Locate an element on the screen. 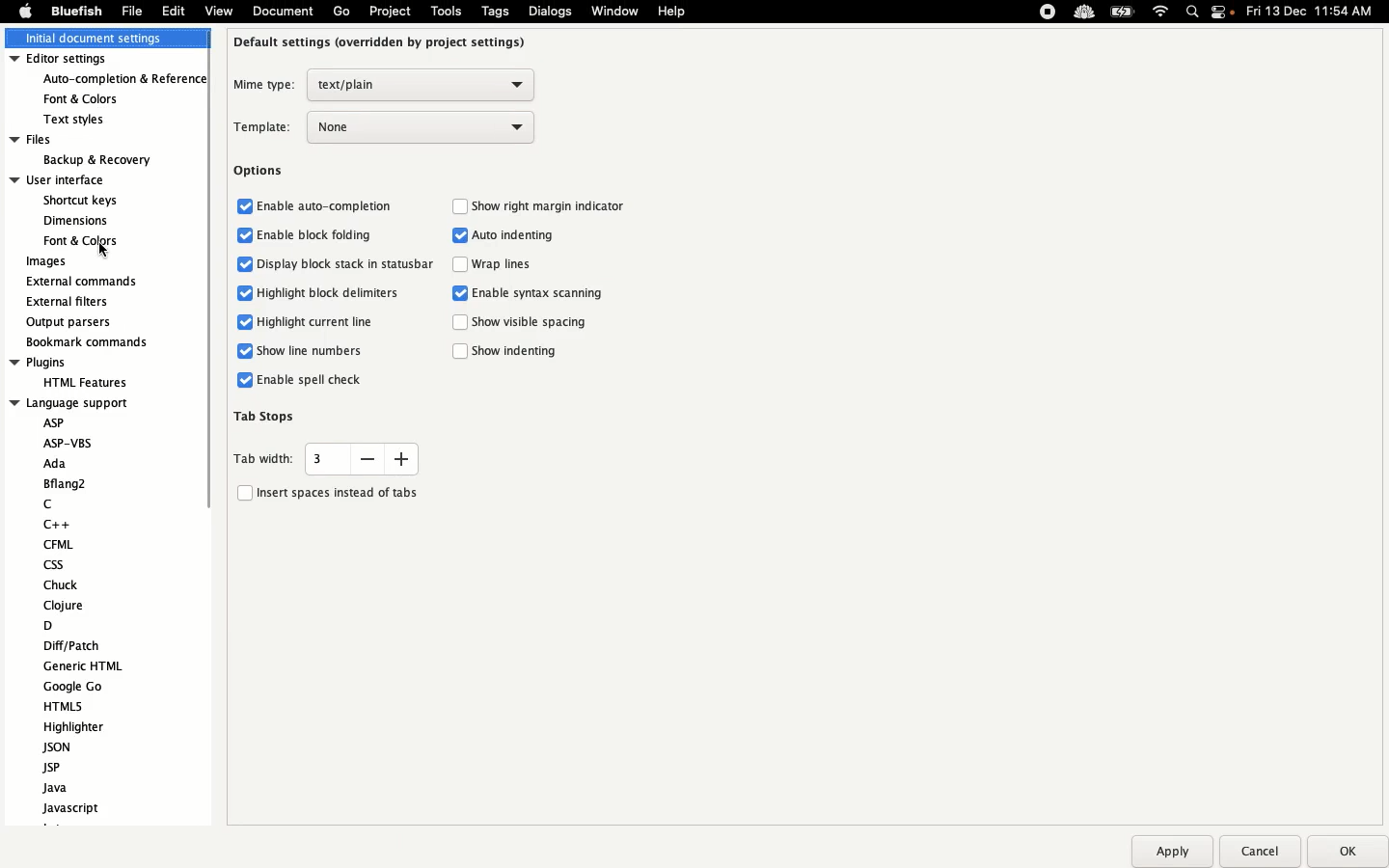 The width and height of the screenshot is (1389, 868). Mine type is located at coordinates (382, 85).